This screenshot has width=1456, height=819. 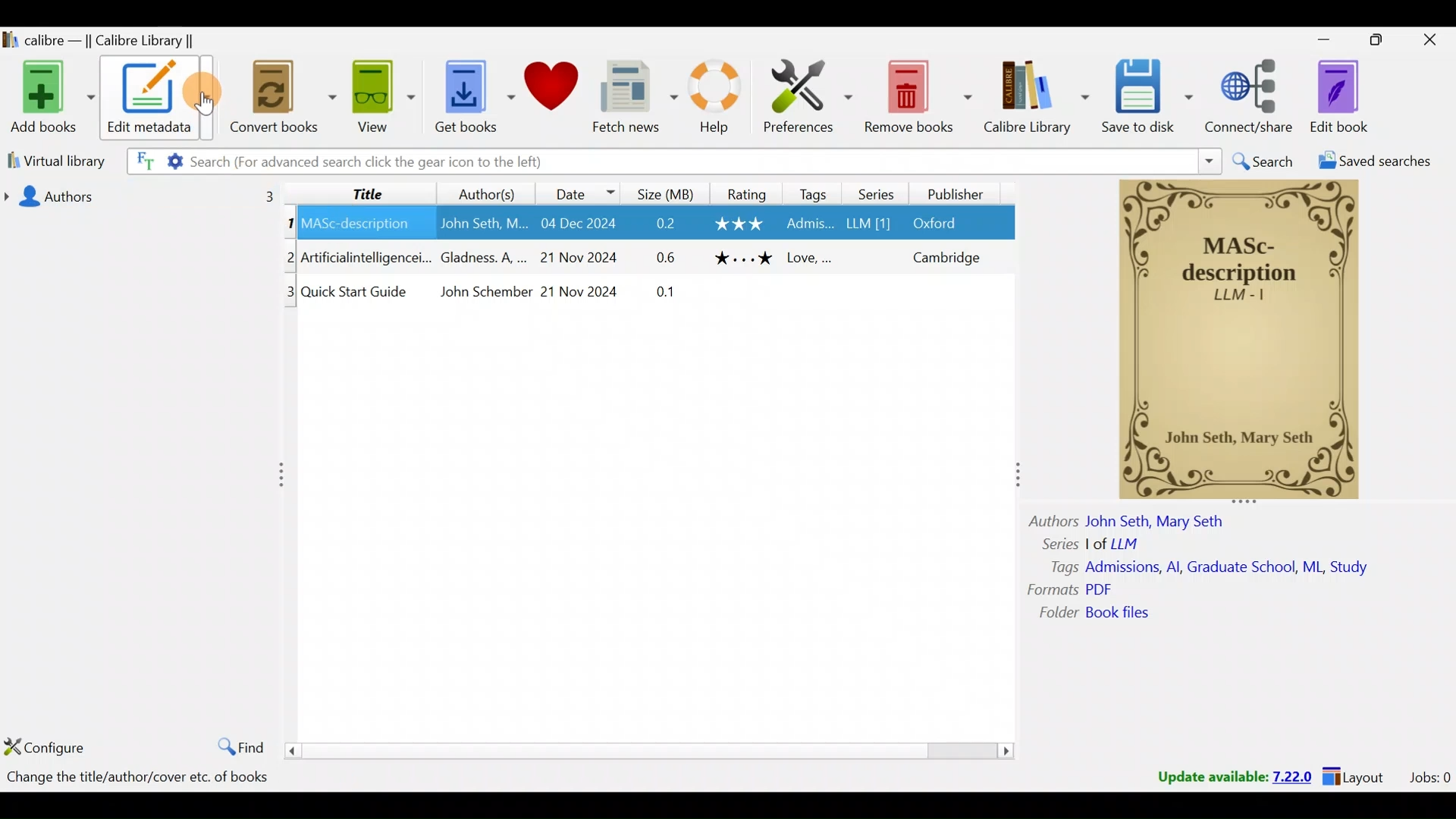 I want to click on , so click(x=807, y=224).